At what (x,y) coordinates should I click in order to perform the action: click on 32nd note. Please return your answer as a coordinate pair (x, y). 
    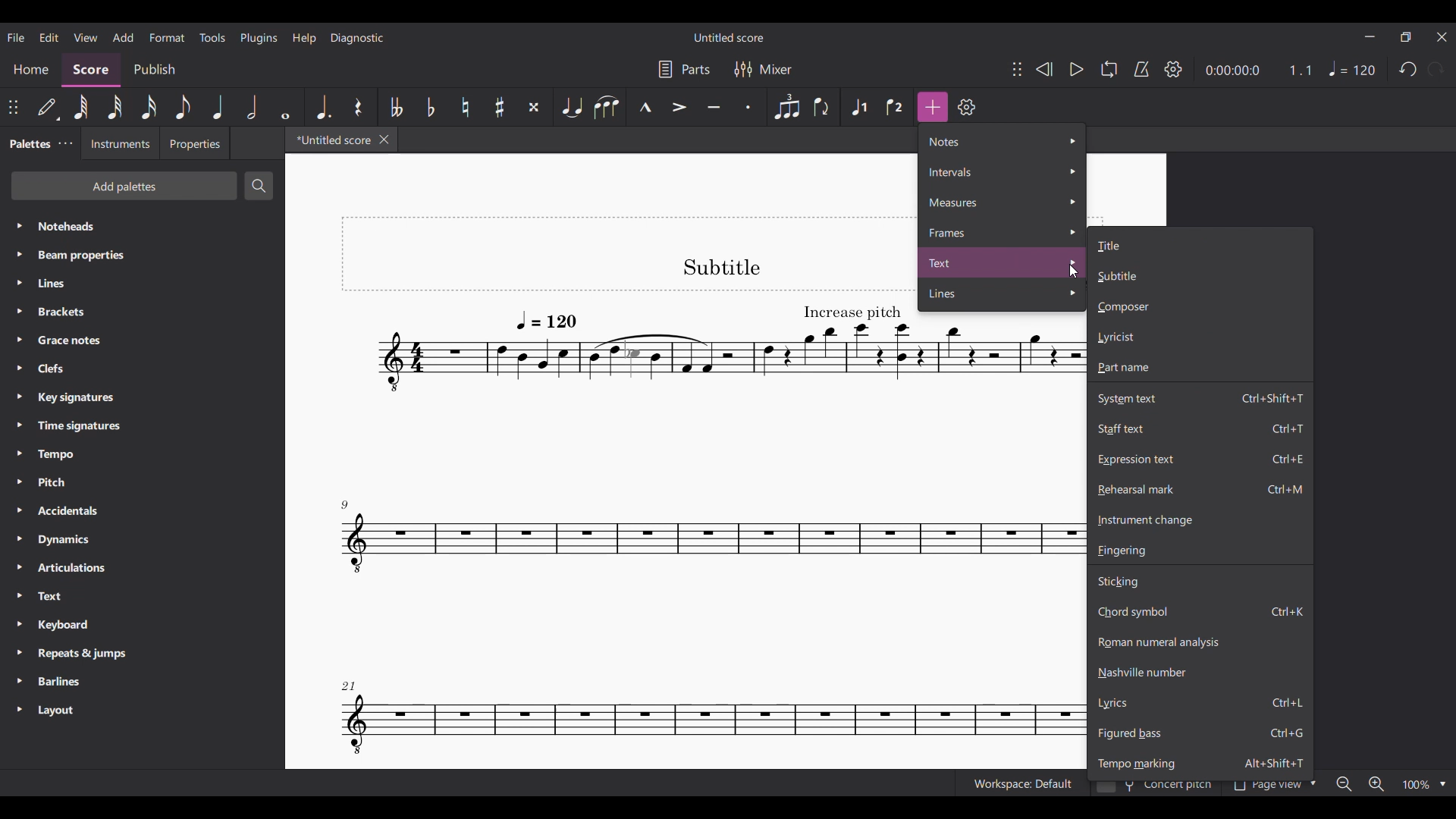
    Looking at the image, I should click on (115, 107).